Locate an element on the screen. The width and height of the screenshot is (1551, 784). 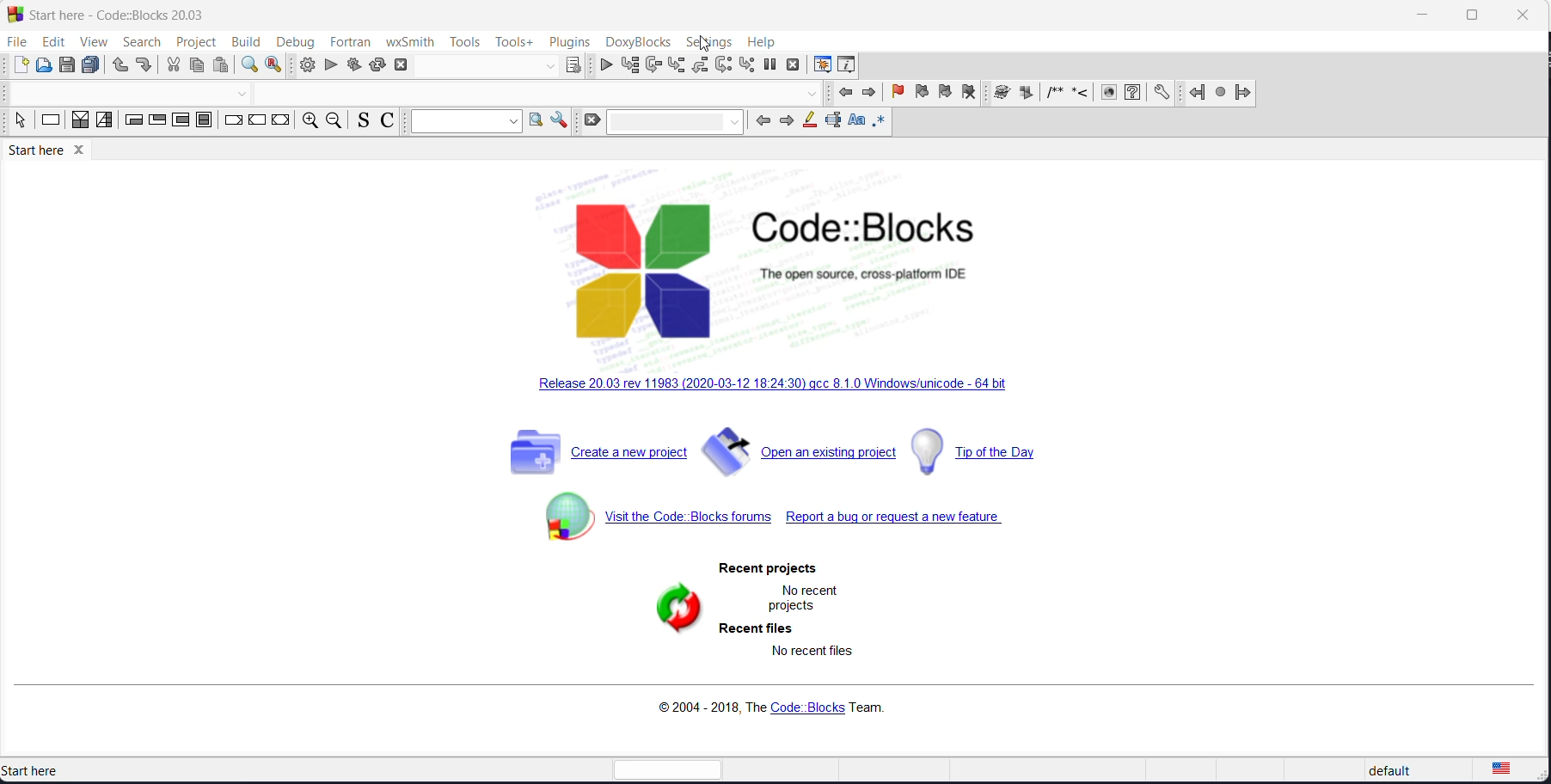
block instruction is located at coordinates (203, 121).